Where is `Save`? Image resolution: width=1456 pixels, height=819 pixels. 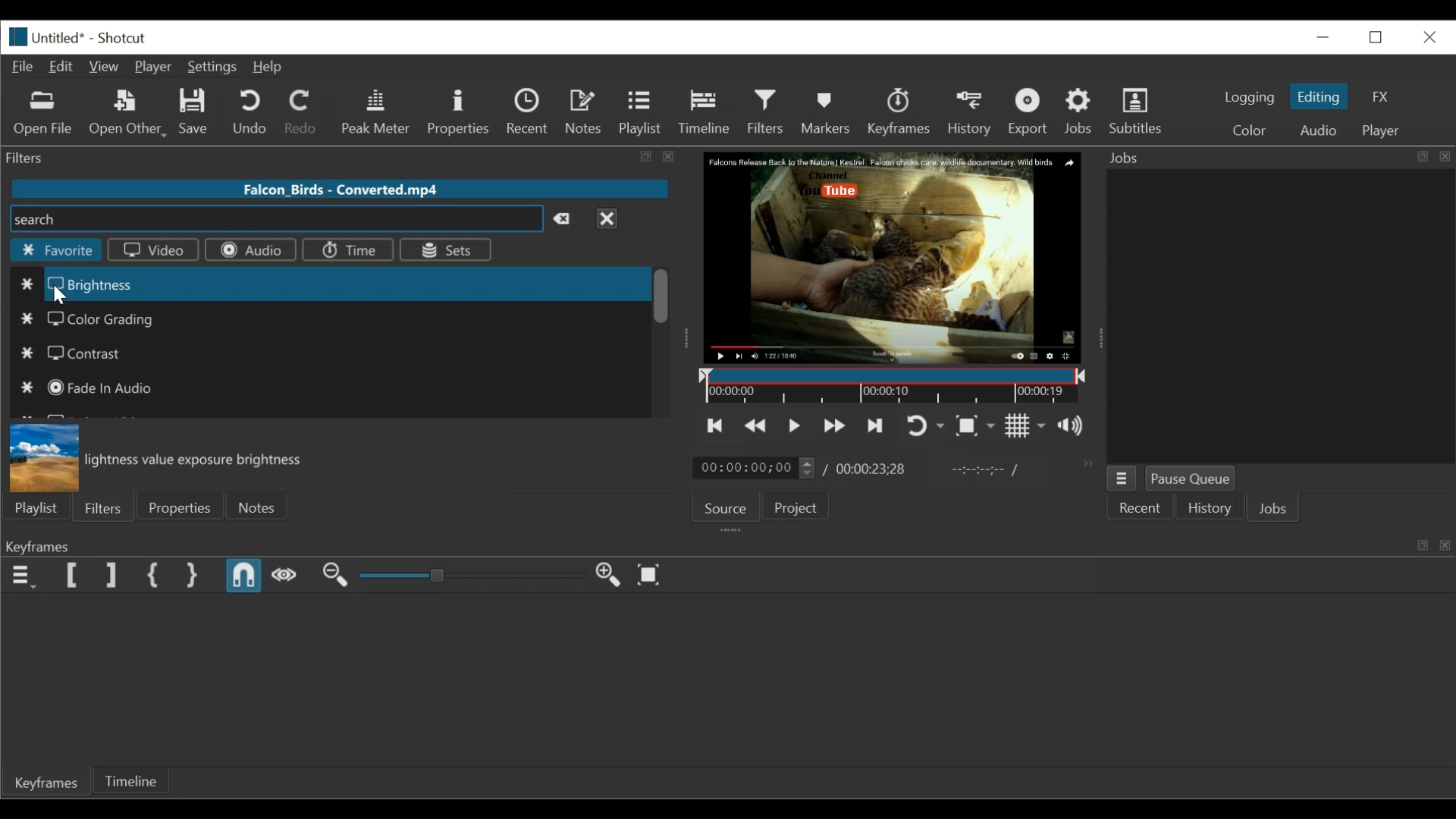
Save is located at coordinates (193, 112).